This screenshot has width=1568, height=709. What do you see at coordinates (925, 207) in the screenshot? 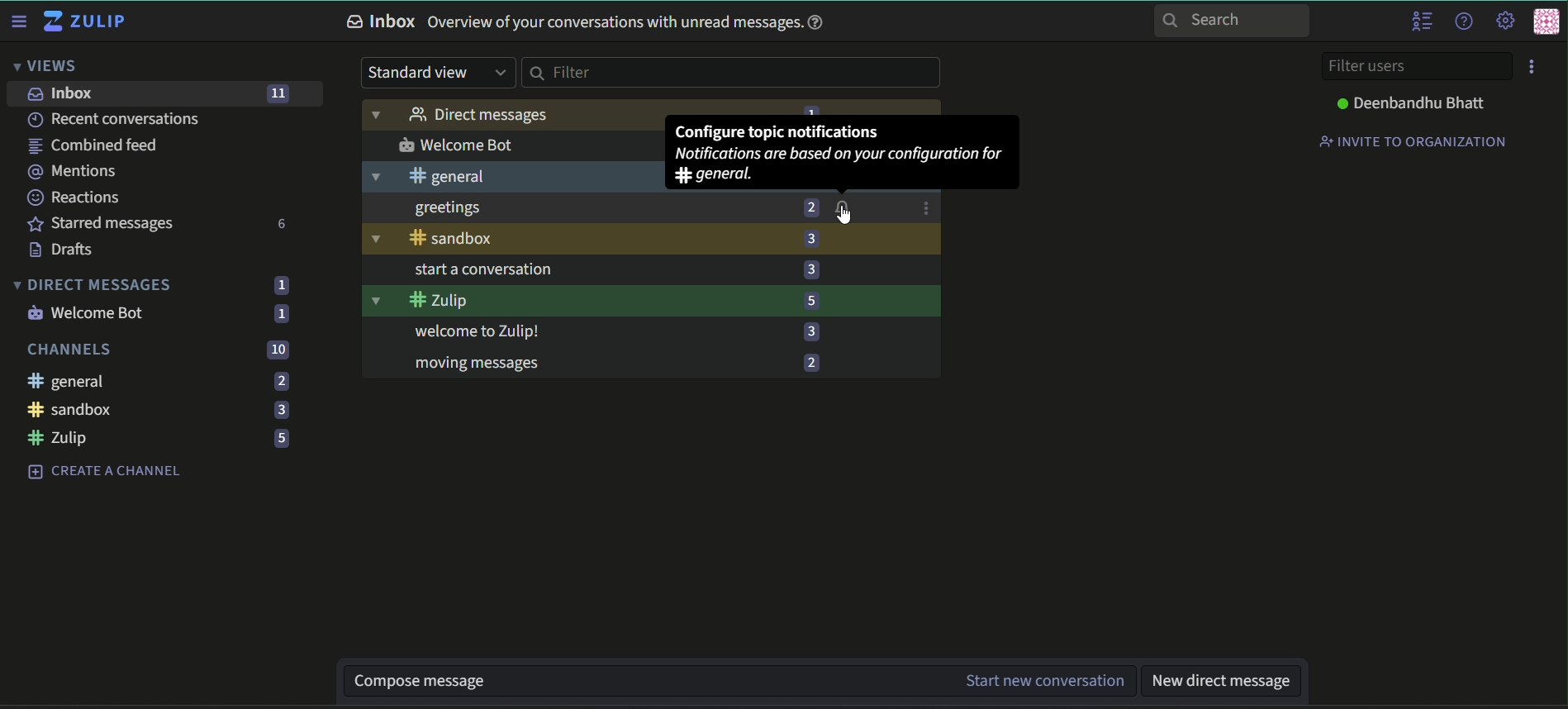
I see `options` at bounding box center [925, 207].